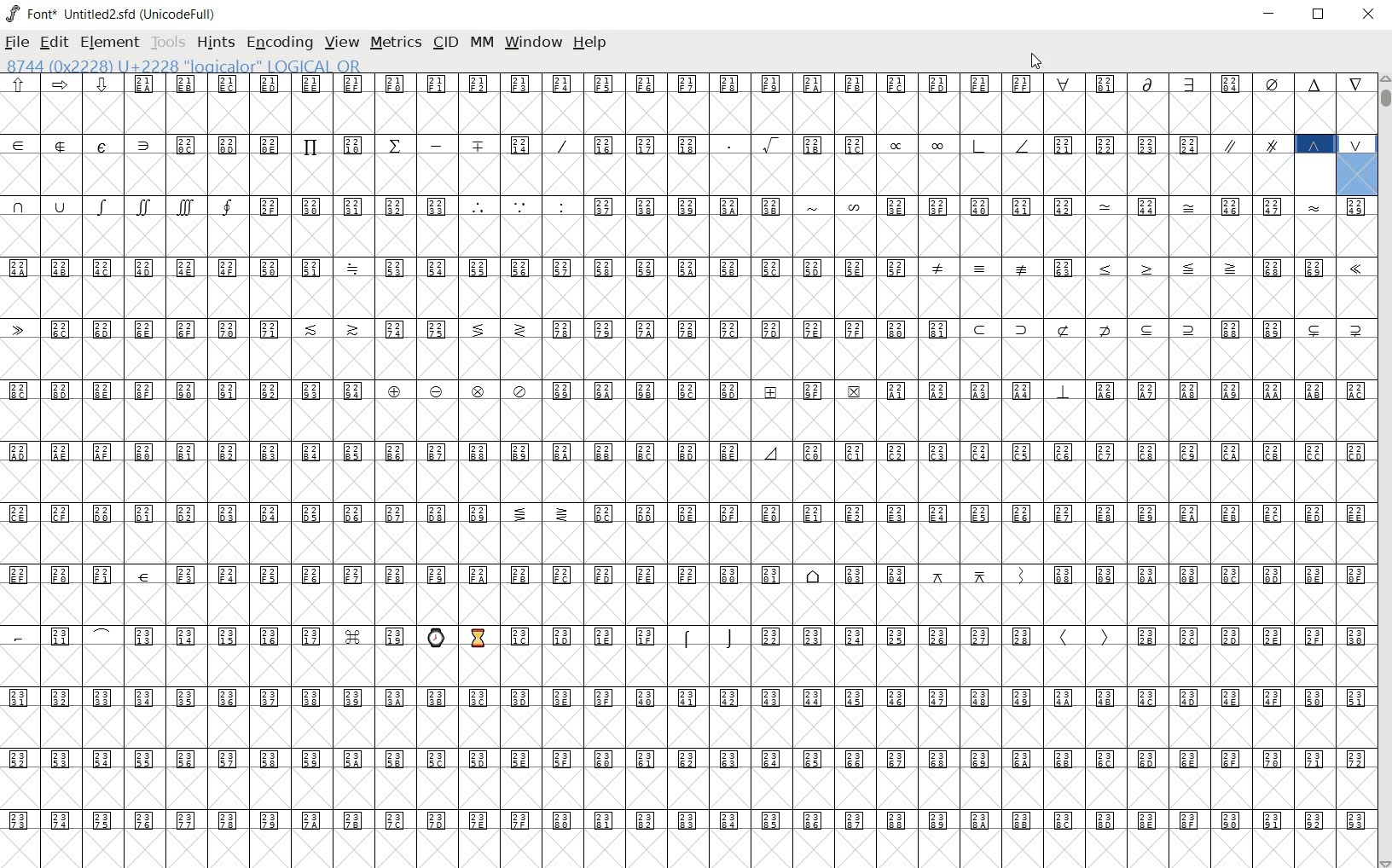 This screenshot has height=868, width=1392. Describe the element at coordinates (479, 42) in the screenshot. I see `mm` at that location.